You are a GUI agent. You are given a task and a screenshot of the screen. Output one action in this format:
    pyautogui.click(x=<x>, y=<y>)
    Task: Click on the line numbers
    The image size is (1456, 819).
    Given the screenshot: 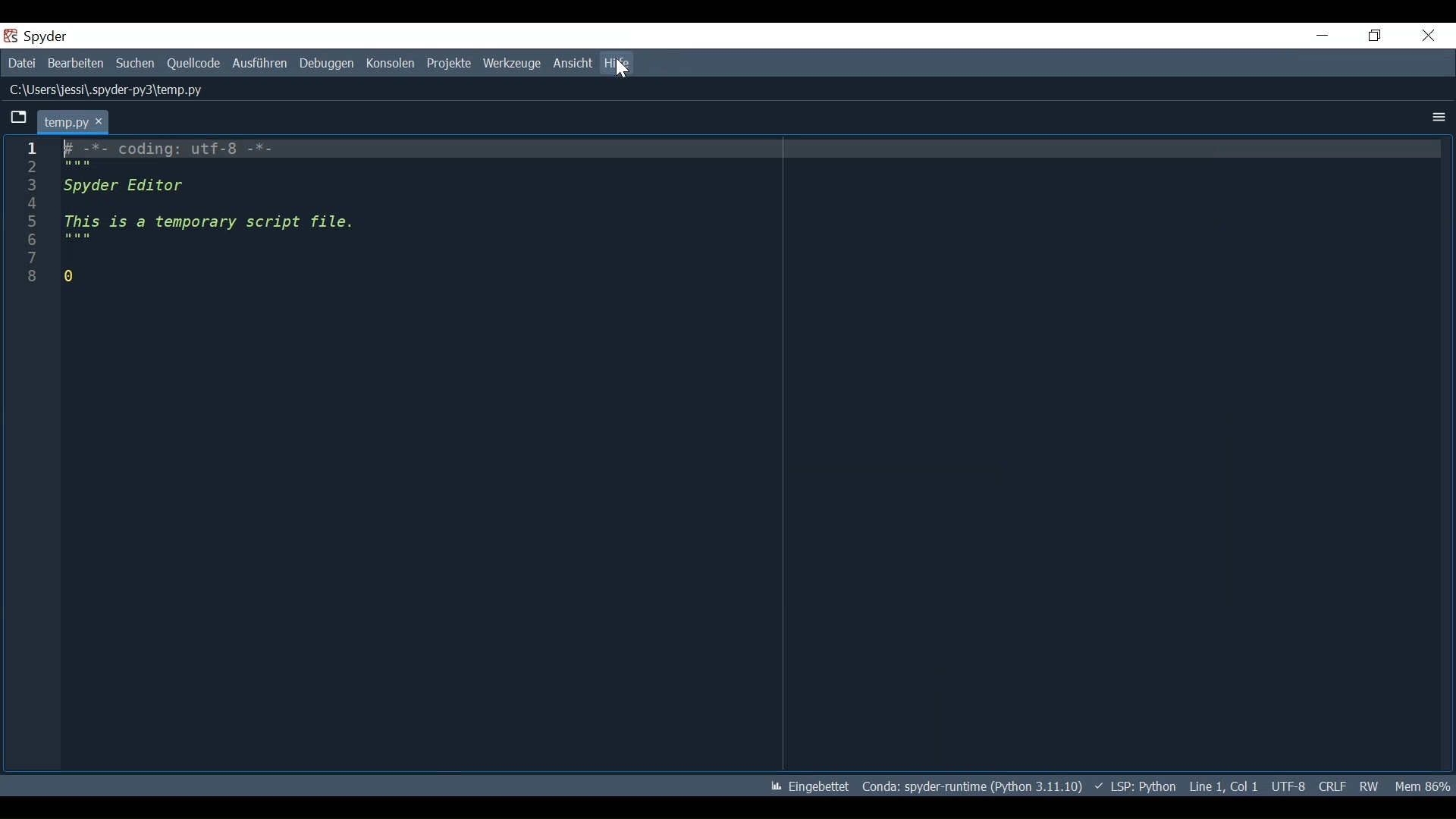 What is the action you would take?
    pyautogui.click(x=29, y=221)
    